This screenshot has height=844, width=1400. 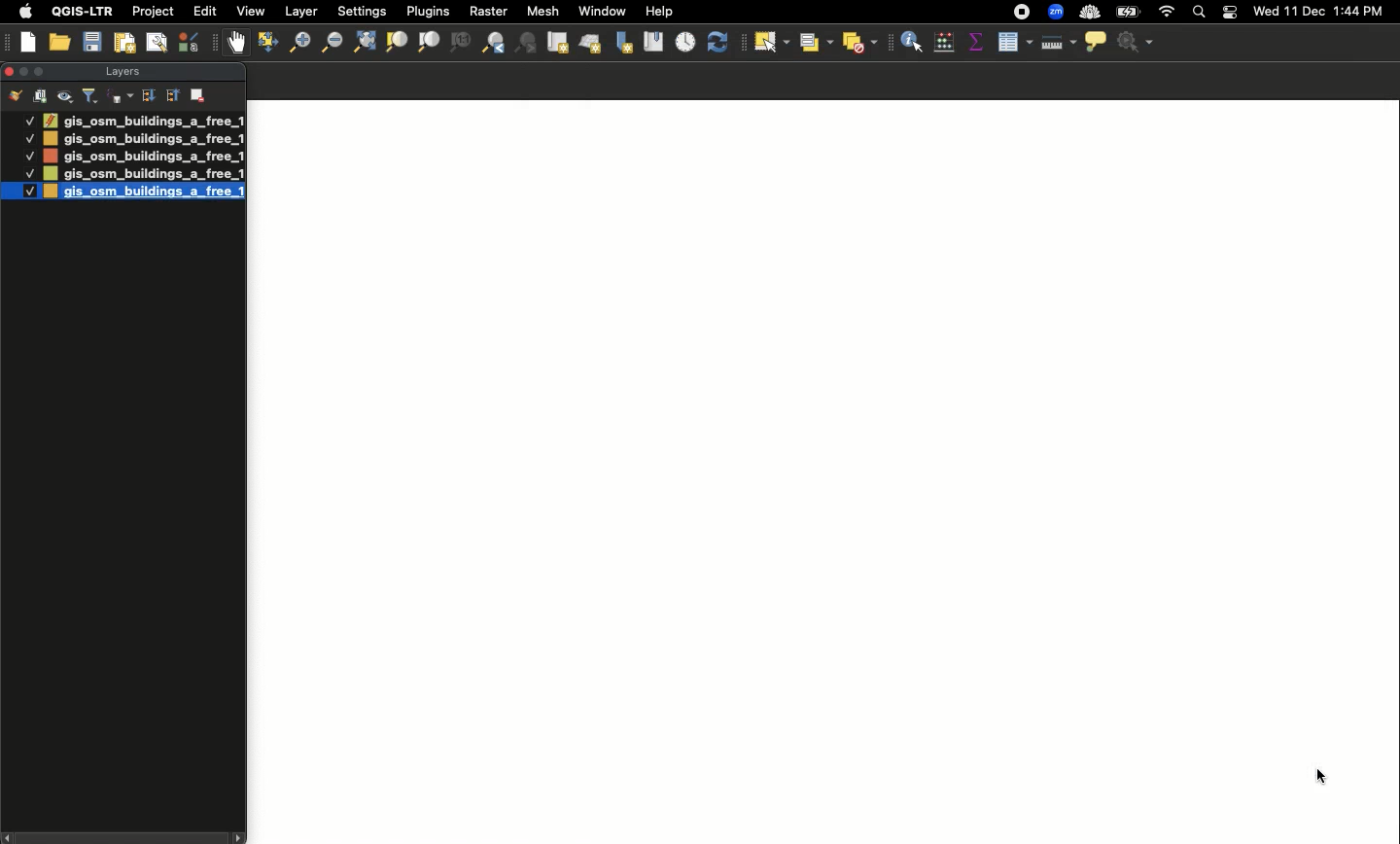 I want to click on Clicked, so click(x=1325, y=776).